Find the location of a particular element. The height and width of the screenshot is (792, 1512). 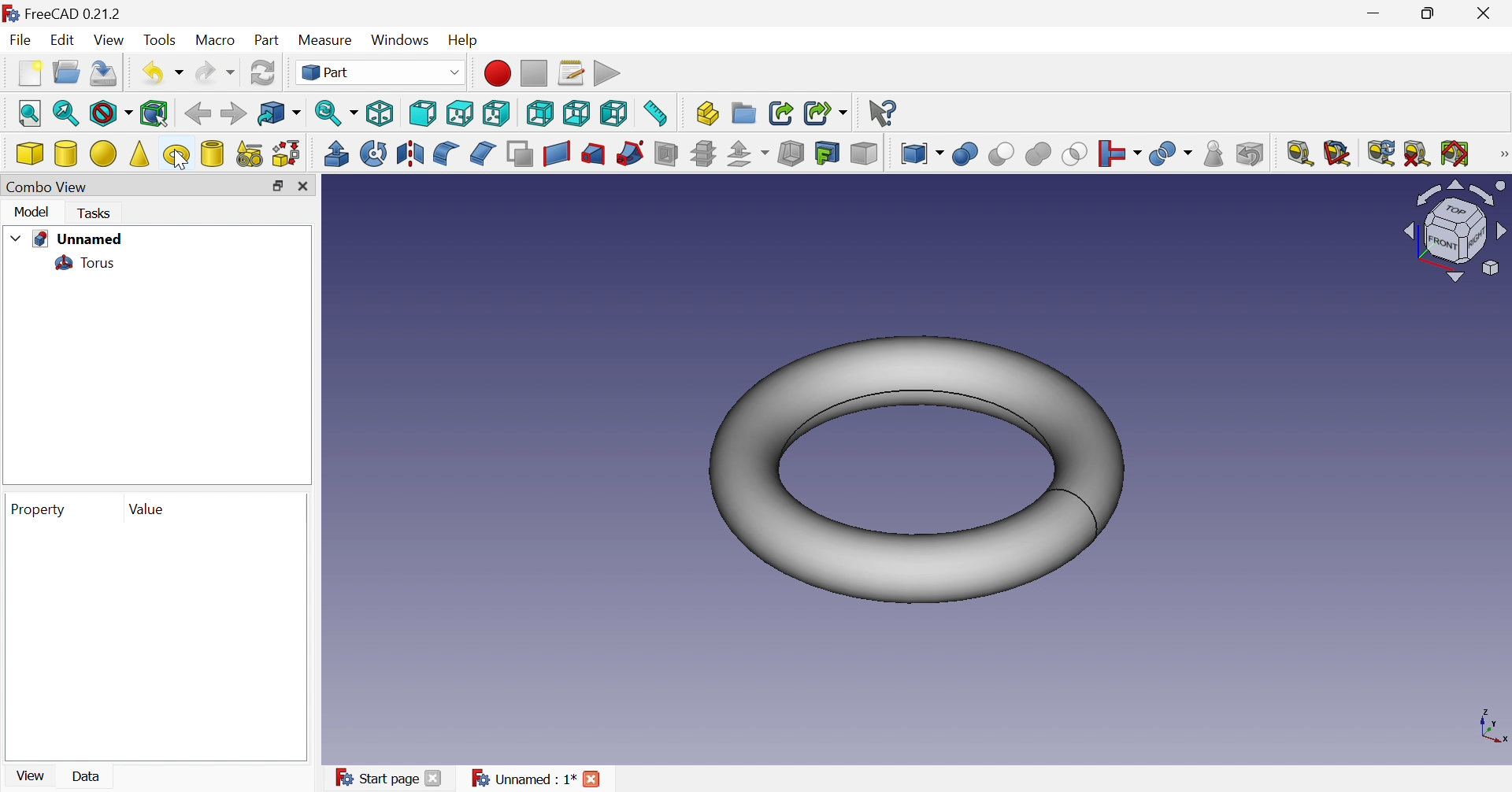

Unnamed : 1* is located at coordinates (524, 779).